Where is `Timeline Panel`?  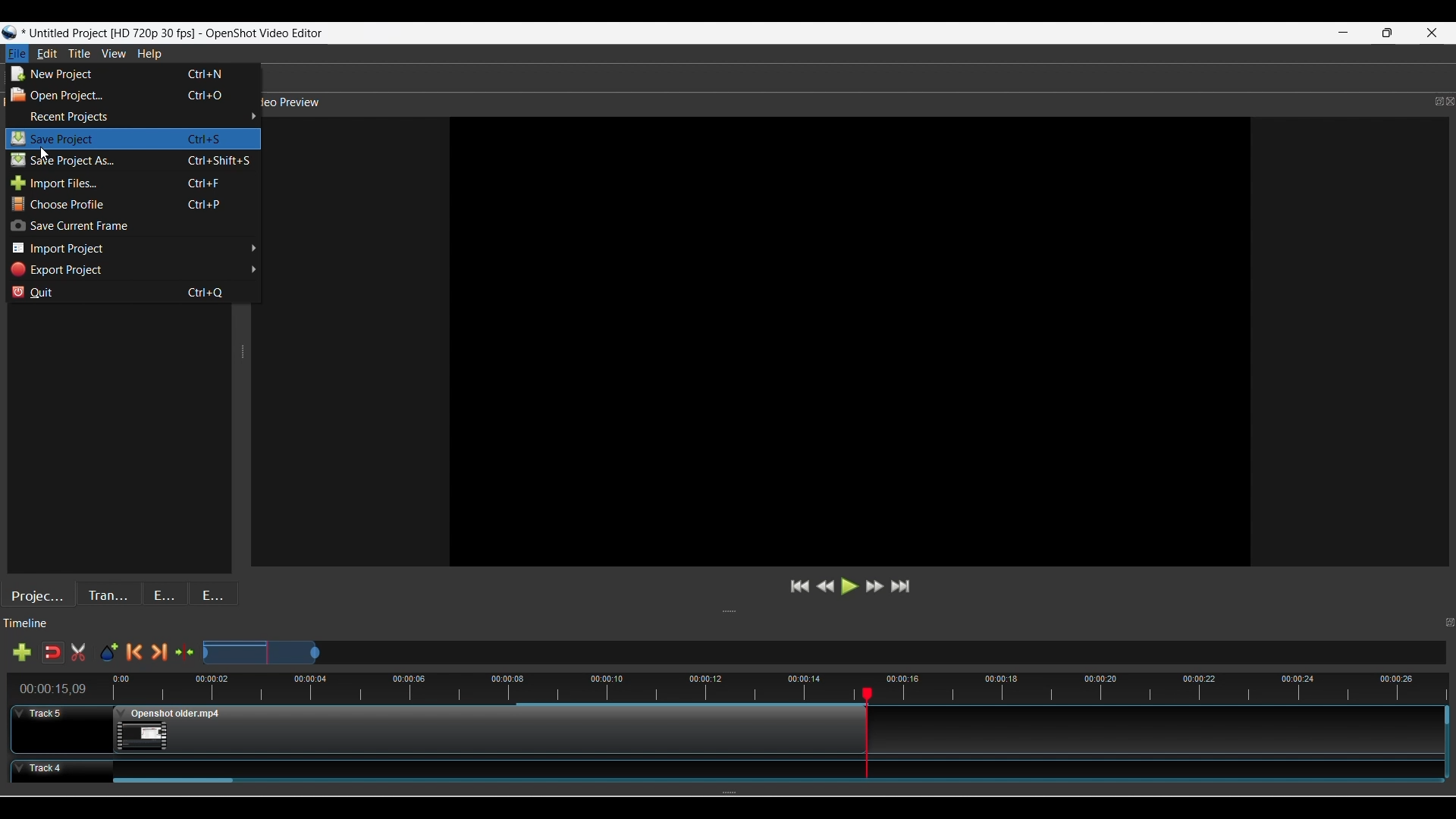 Timeline Panel is located at coordinates (714, 627).